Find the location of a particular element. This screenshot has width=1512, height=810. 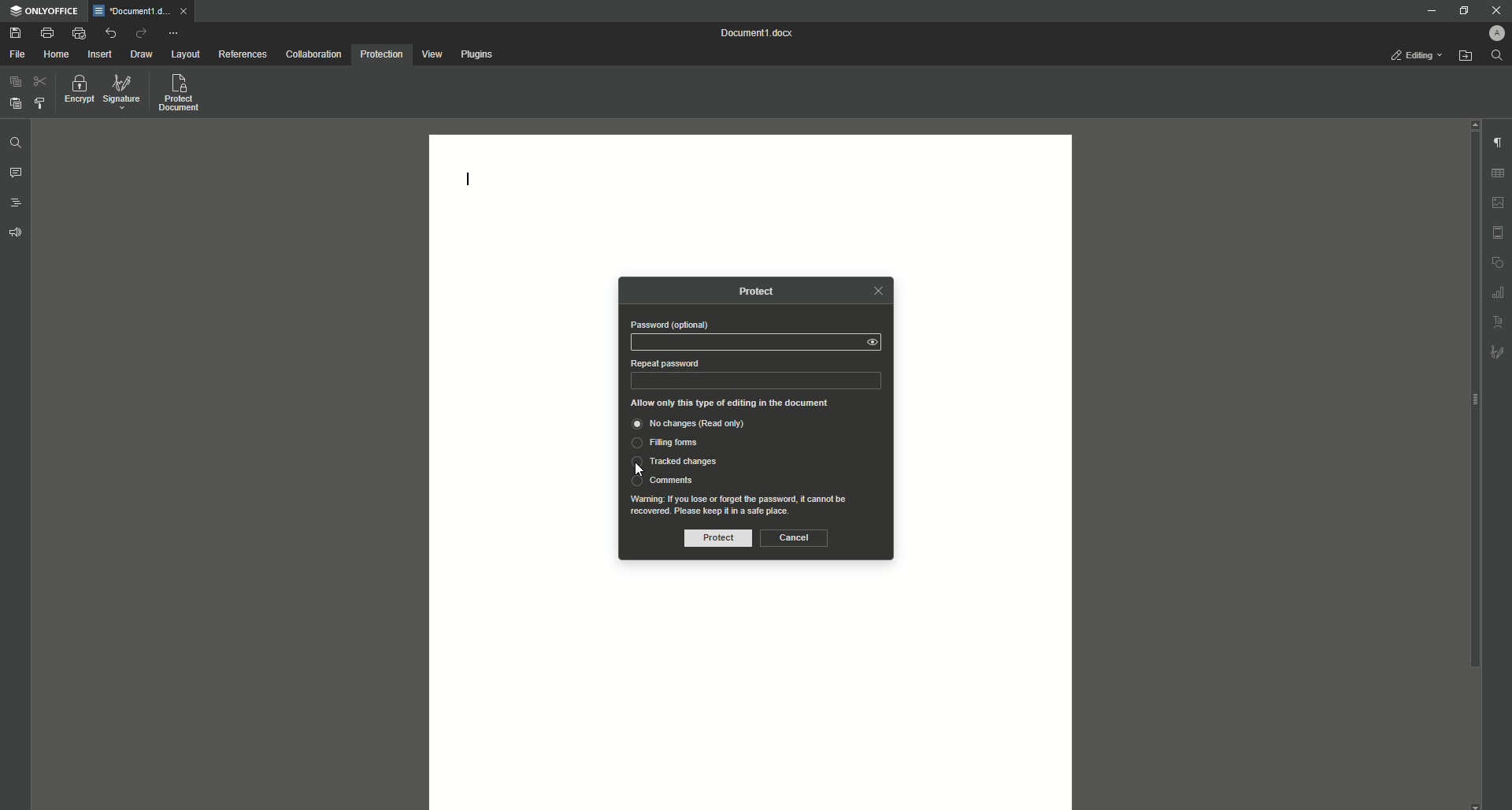

Document 1 is located at coordinates (760, 33).